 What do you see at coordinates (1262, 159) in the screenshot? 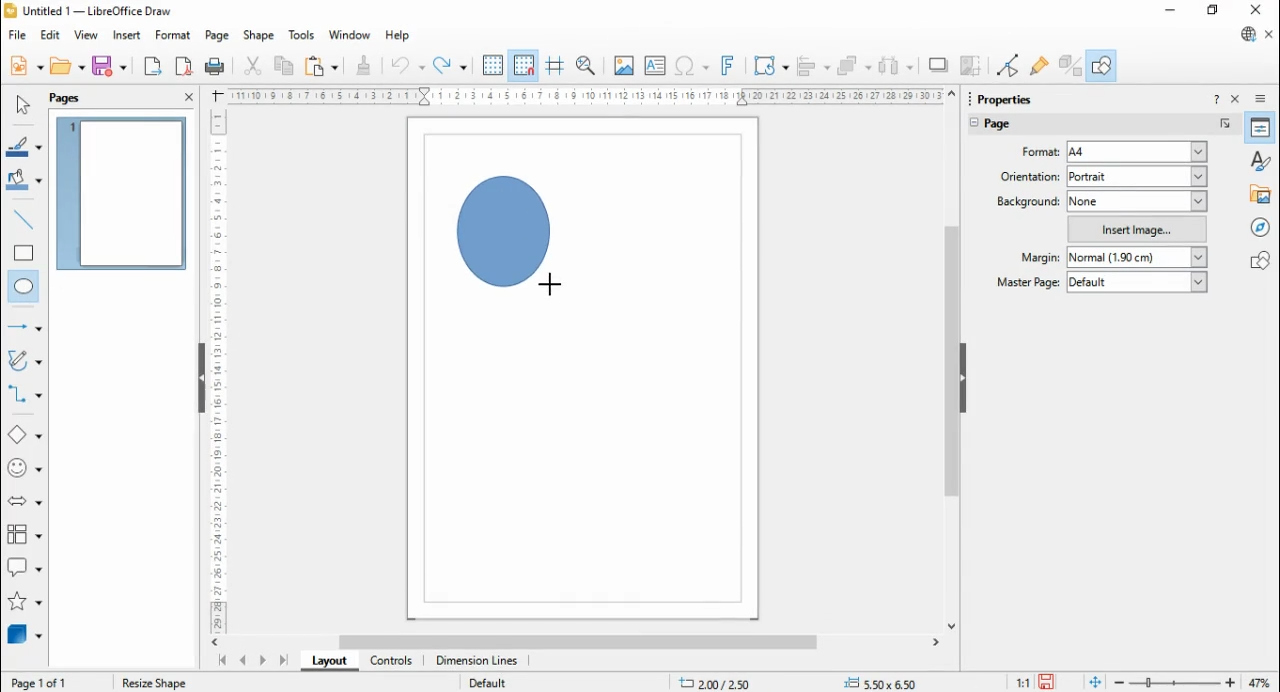
I see `styles` at bounding box center [1262, 159].